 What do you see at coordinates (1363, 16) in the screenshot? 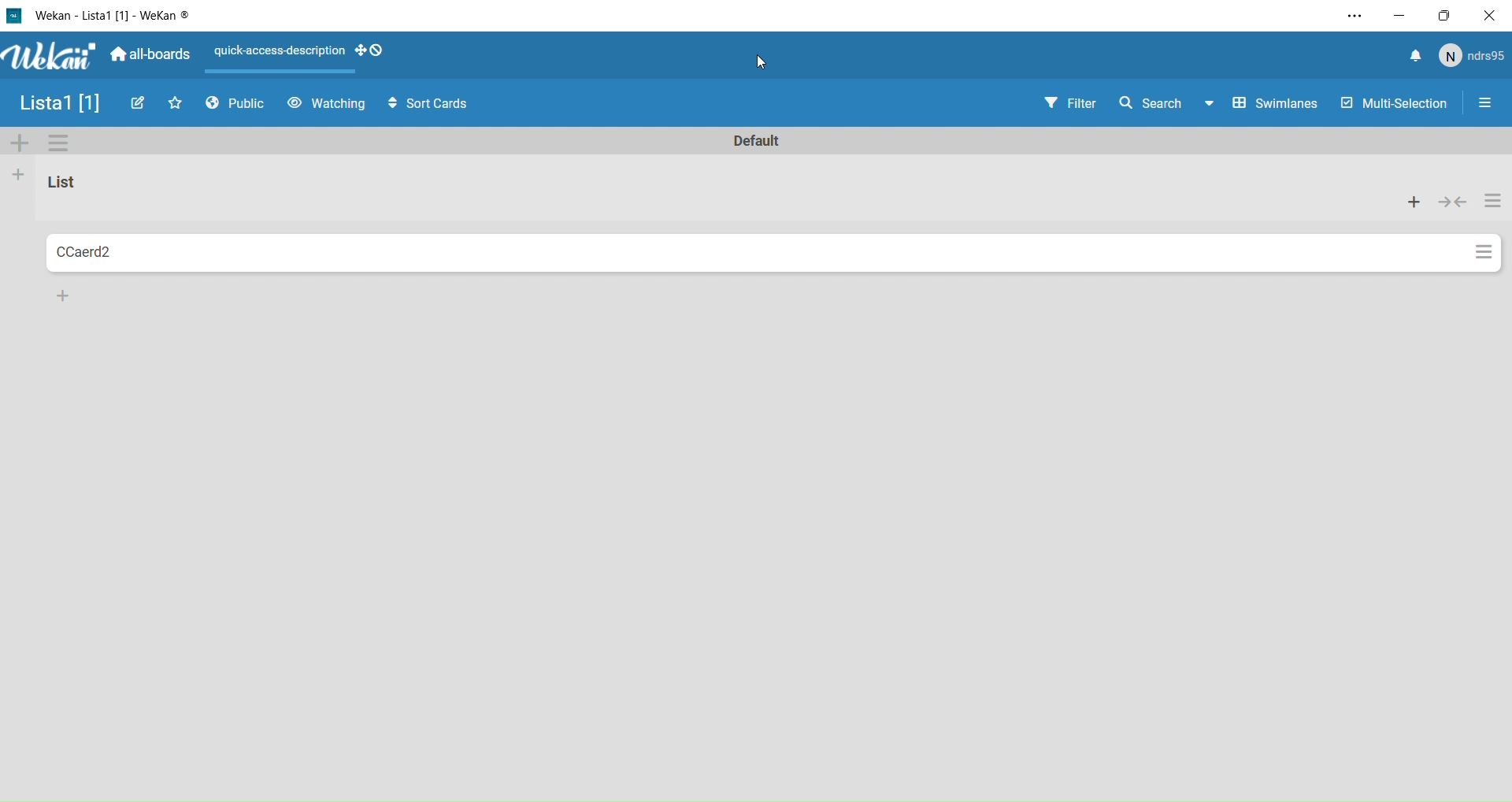
I see `Settings and More` at bounding box center [1363, 16].